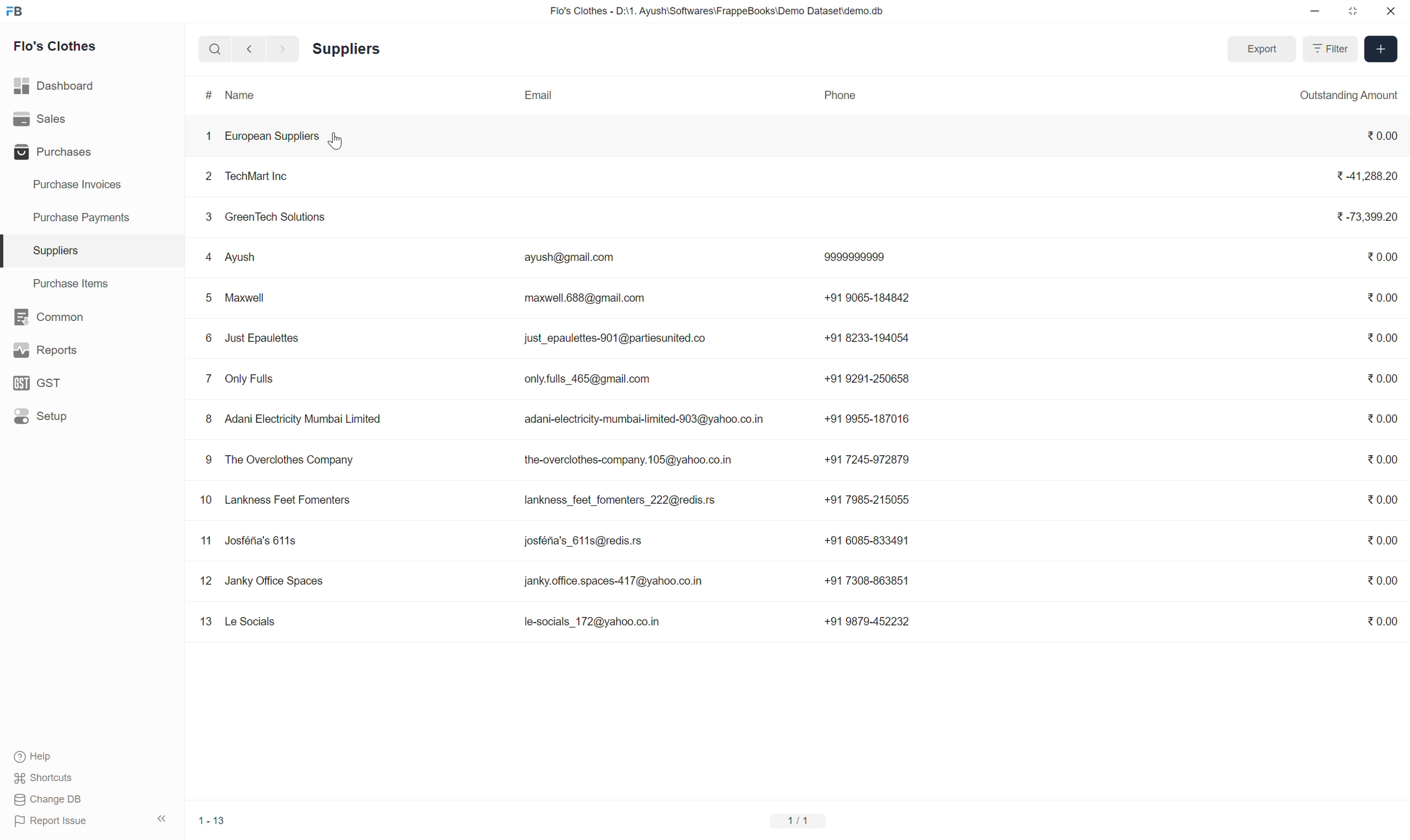 Image resolution: width=1410 pixels, height=840 pixels. I want to click on European Suppliers , so click(271, 136).